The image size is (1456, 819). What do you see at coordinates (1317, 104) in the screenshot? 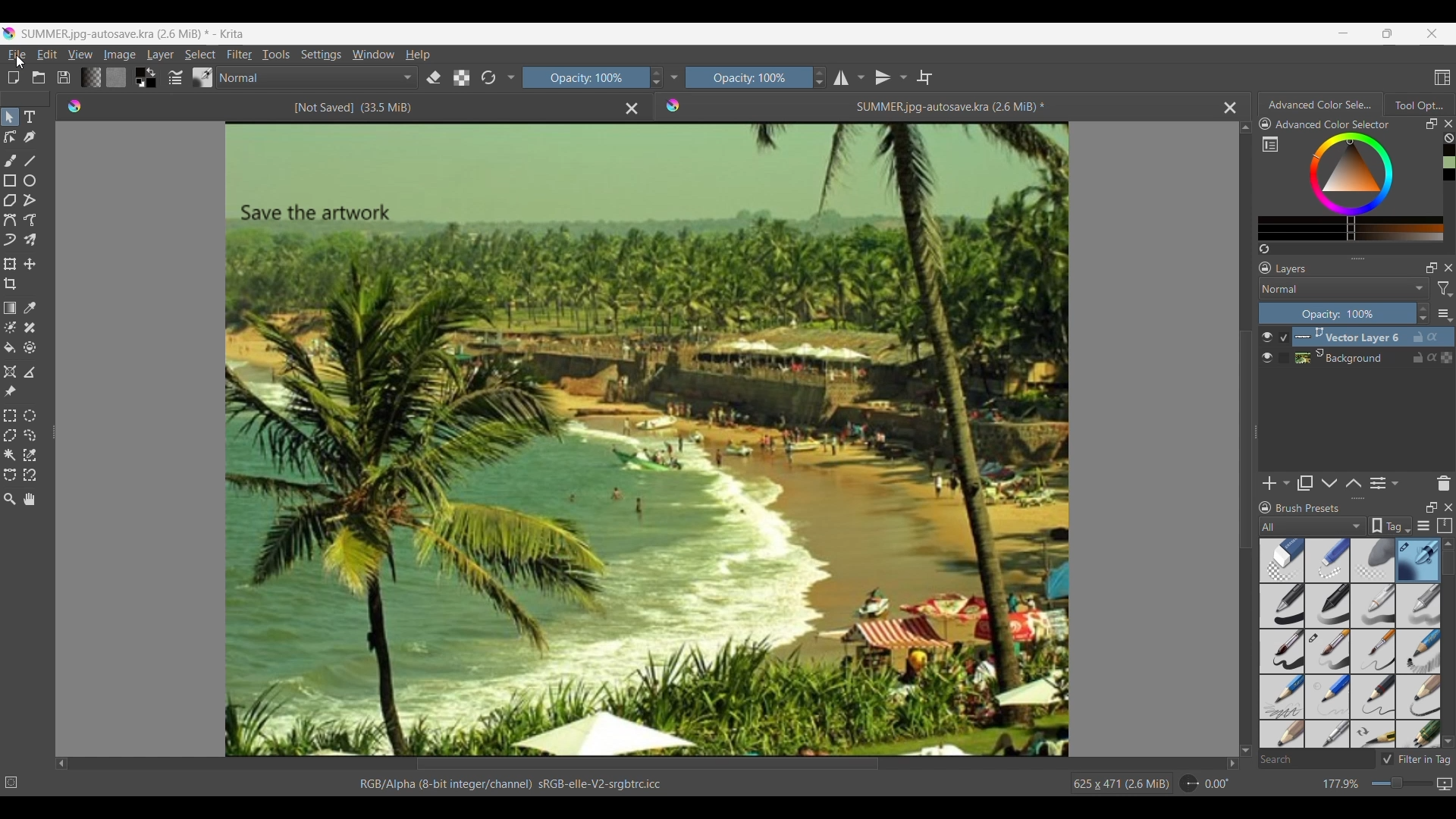
I see `Current tab` at bounding box center [1317, 104].